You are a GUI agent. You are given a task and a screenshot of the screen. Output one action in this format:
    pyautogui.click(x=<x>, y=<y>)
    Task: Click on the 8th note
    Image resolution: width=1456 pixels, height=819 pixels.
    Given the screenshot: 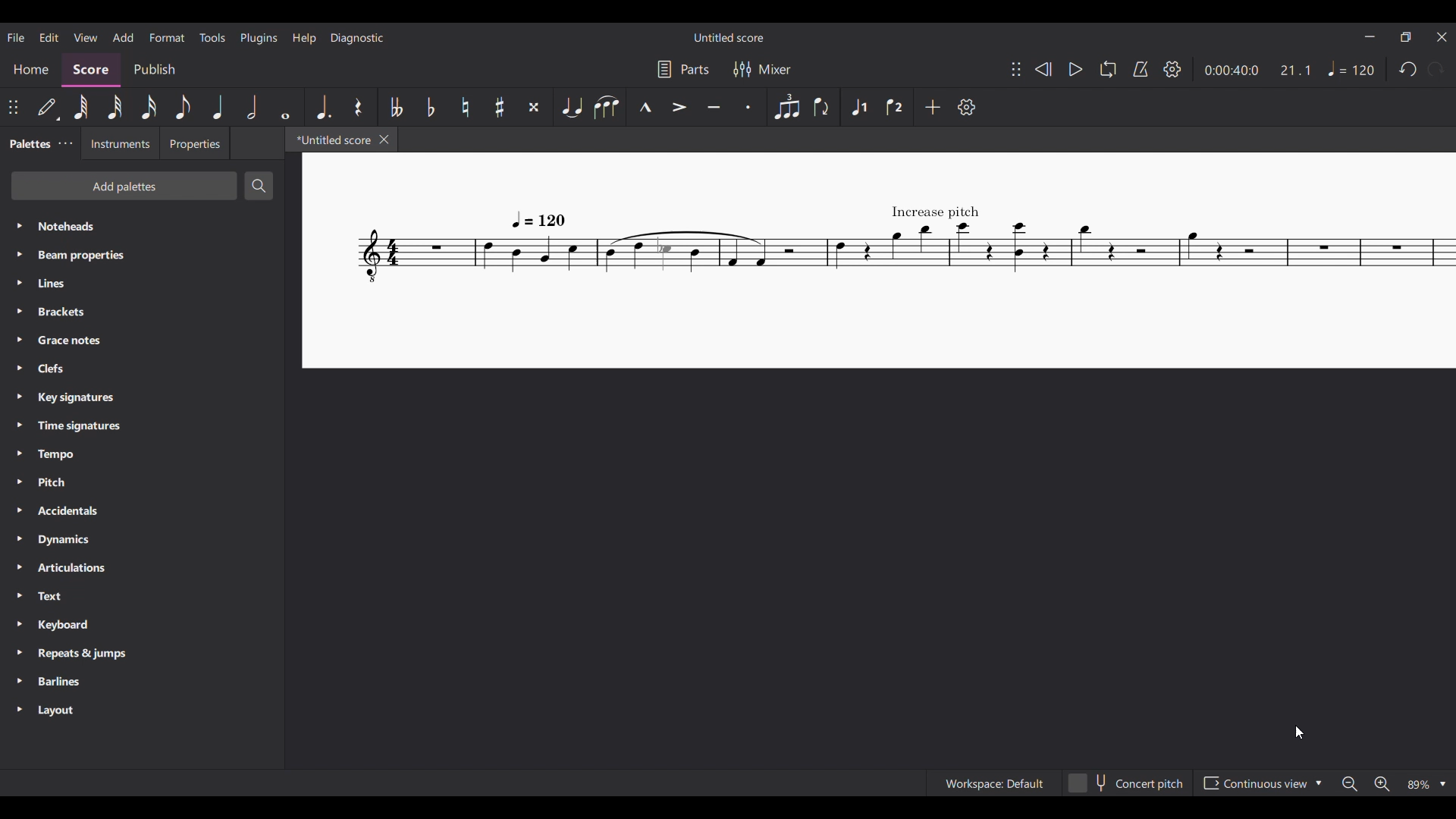 What is the action you would take?
    pyautogui.click(x=183, y=107)
    